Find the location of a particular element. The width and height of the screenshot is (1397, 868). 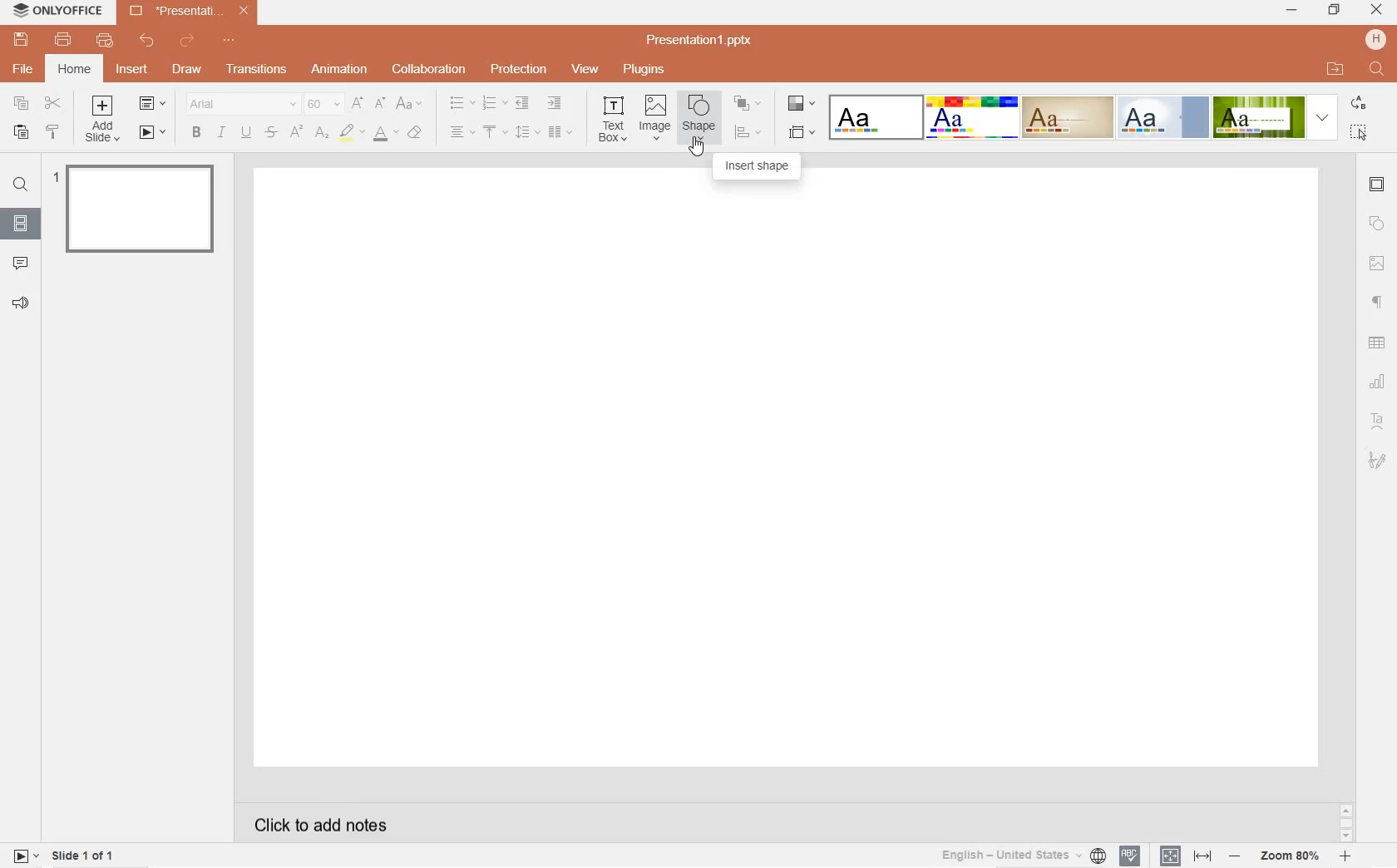

strikethrough is located at coordinates (271, 133).